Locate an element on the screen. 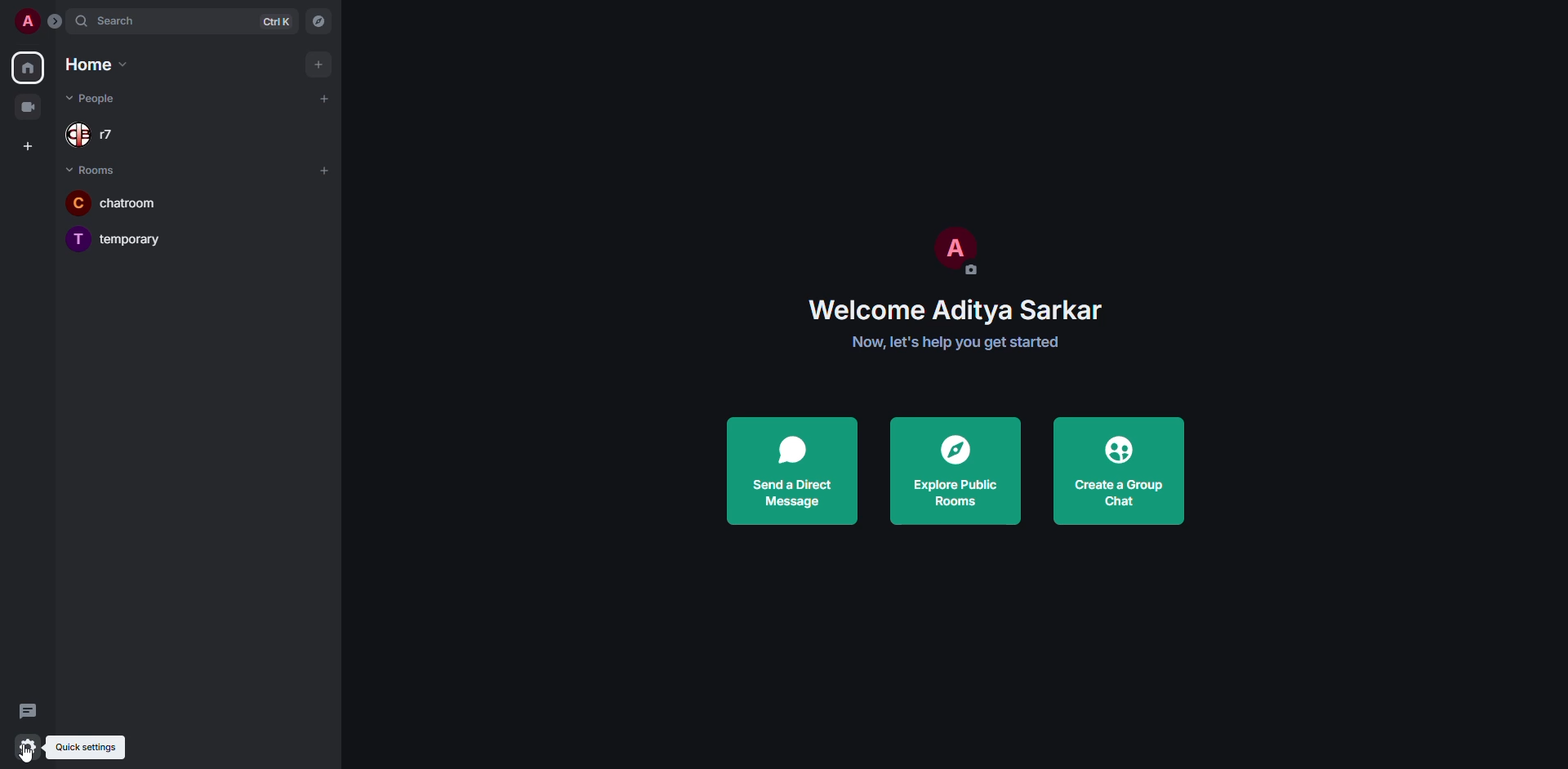  temporary is located at coordinates (120, 238).